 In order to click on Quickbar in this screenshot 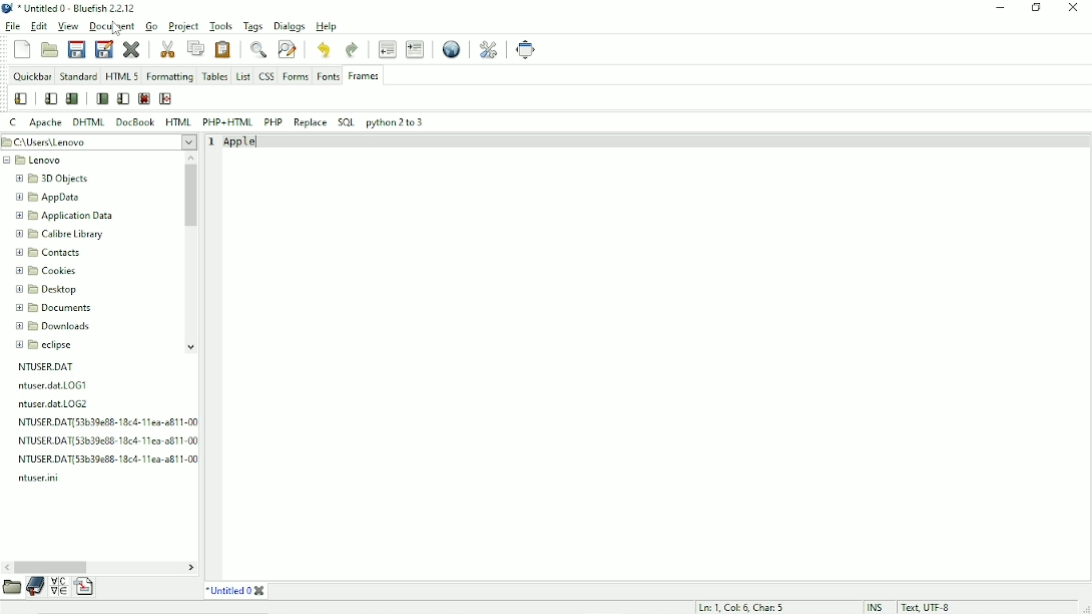, I will do `click(32, 78)`.